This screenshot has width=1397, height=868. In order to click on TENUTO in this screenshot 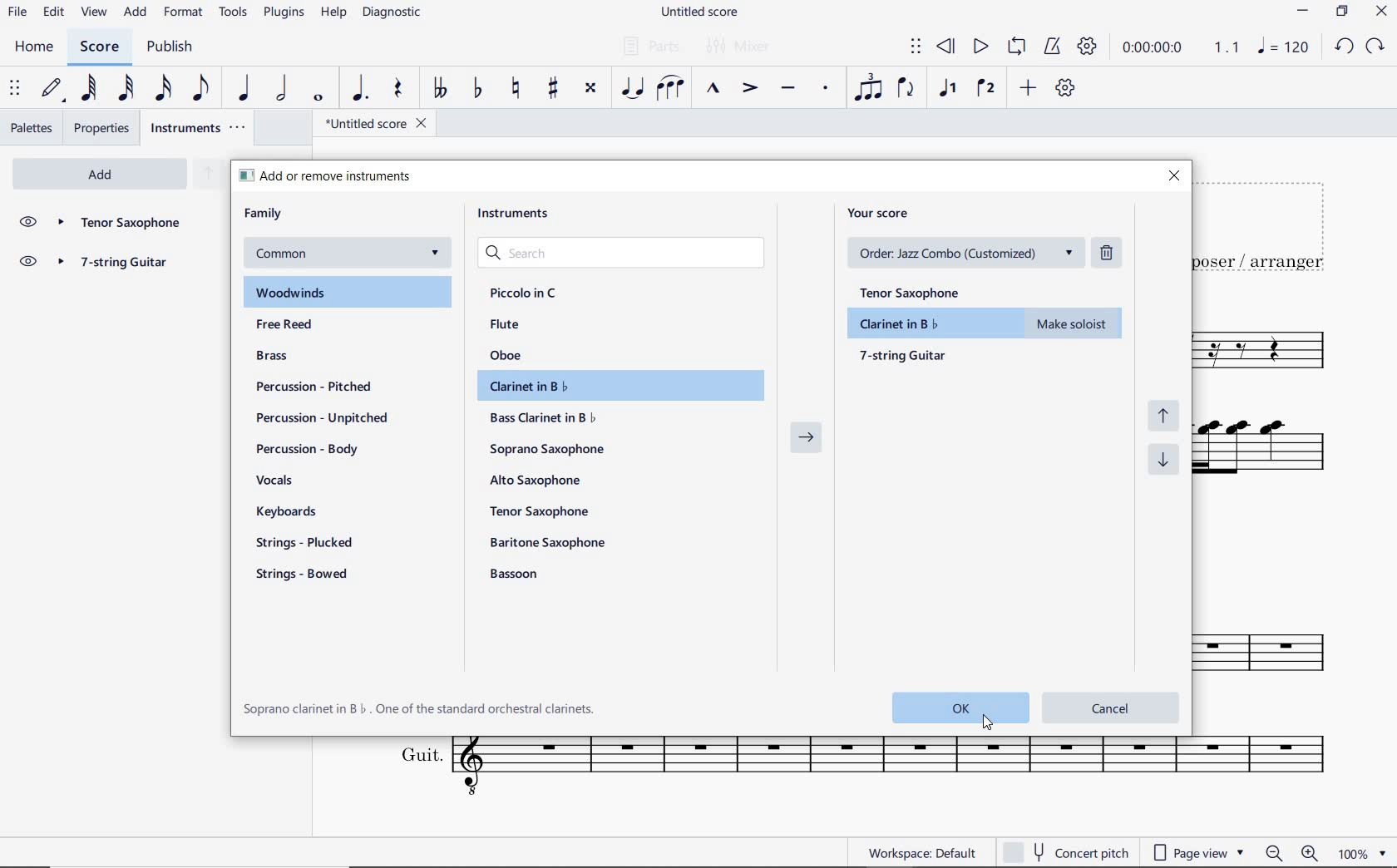, I will do `click(787, 91)`.